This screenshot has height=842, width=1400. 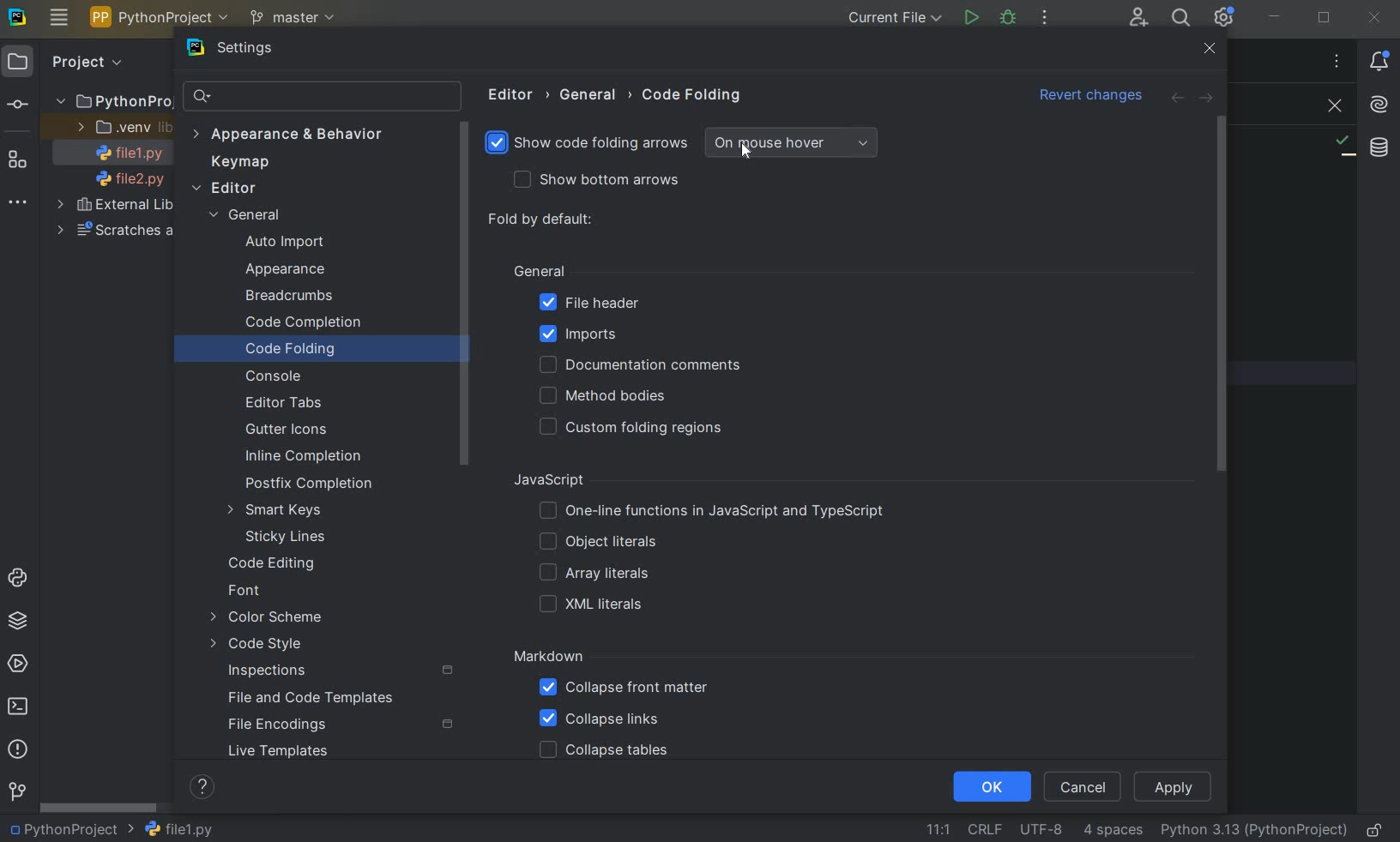 What do you see at coordinates (549, 657) in the screenshot?
I see `MARKDOWN` at bounding box center [549, 657].